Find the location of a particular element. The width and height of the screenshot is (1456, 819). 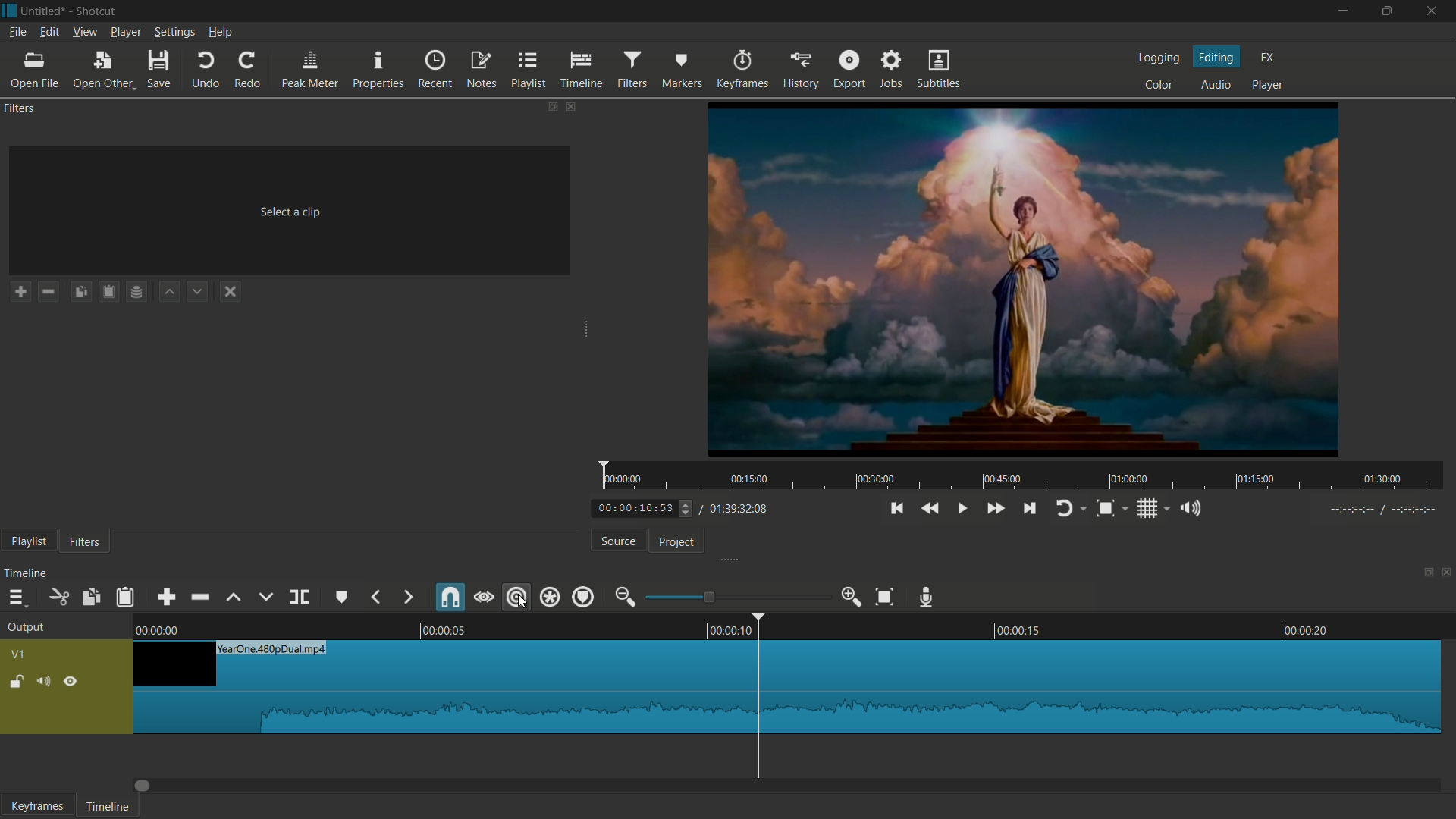

recent is located at coordinates (435, 70).